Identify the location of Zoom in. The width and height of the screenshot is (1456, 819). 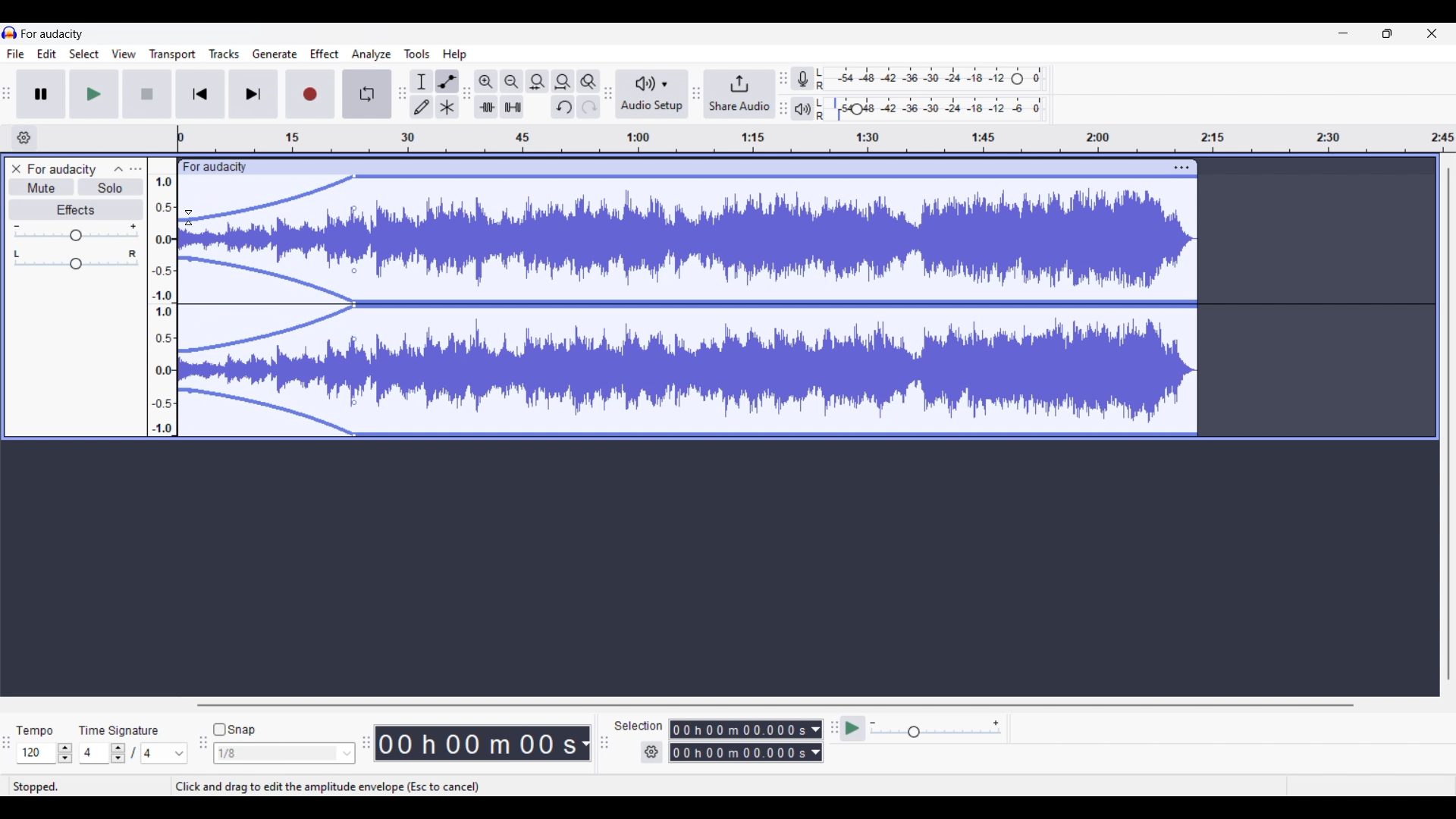
(486, 81).